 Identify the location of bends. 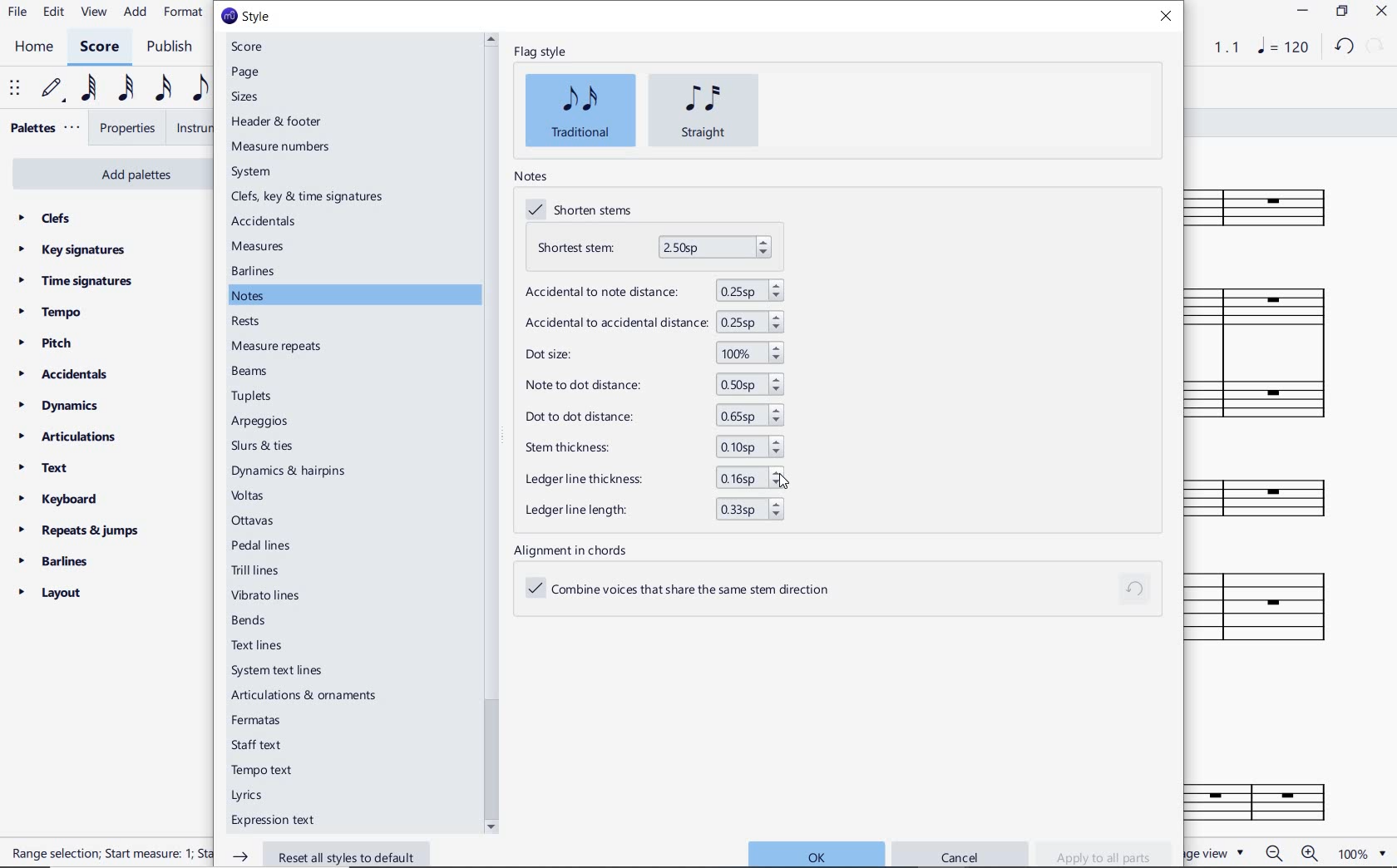
(253, 619).